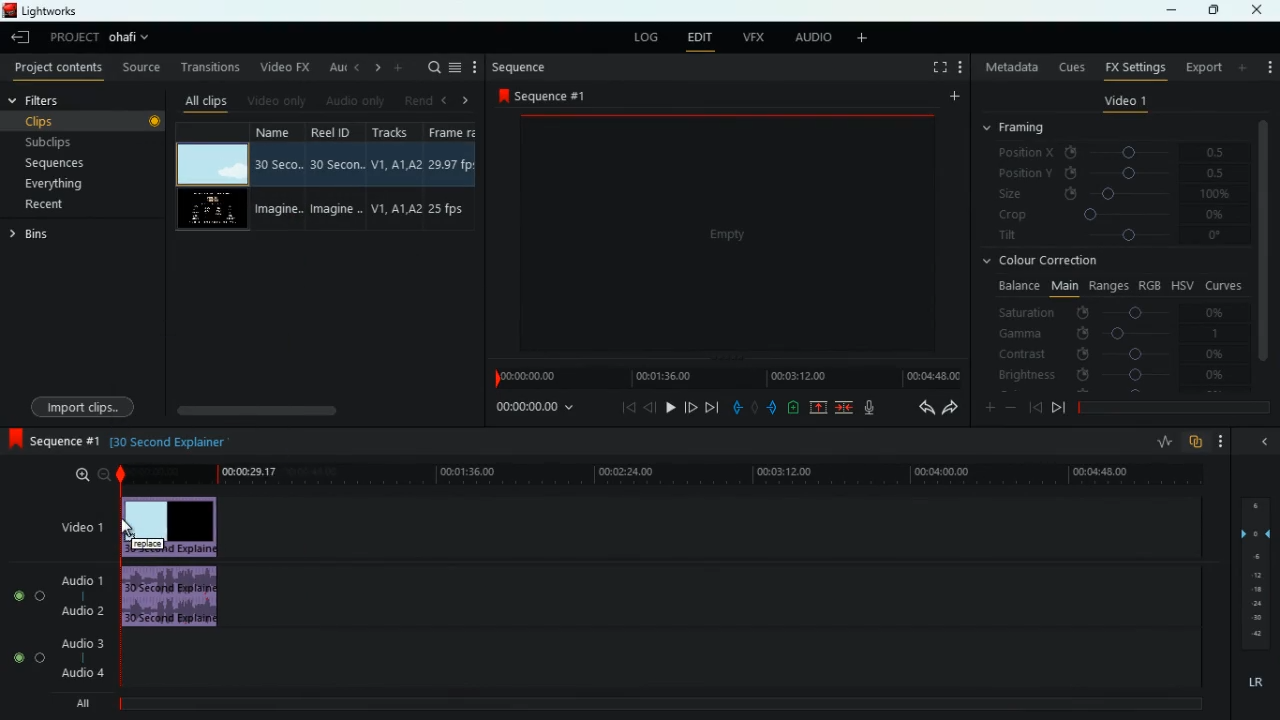  What do you see at coordinates (1008, 65) in the screenshot?
I see `metadata` at bounding box center [1008, 65].